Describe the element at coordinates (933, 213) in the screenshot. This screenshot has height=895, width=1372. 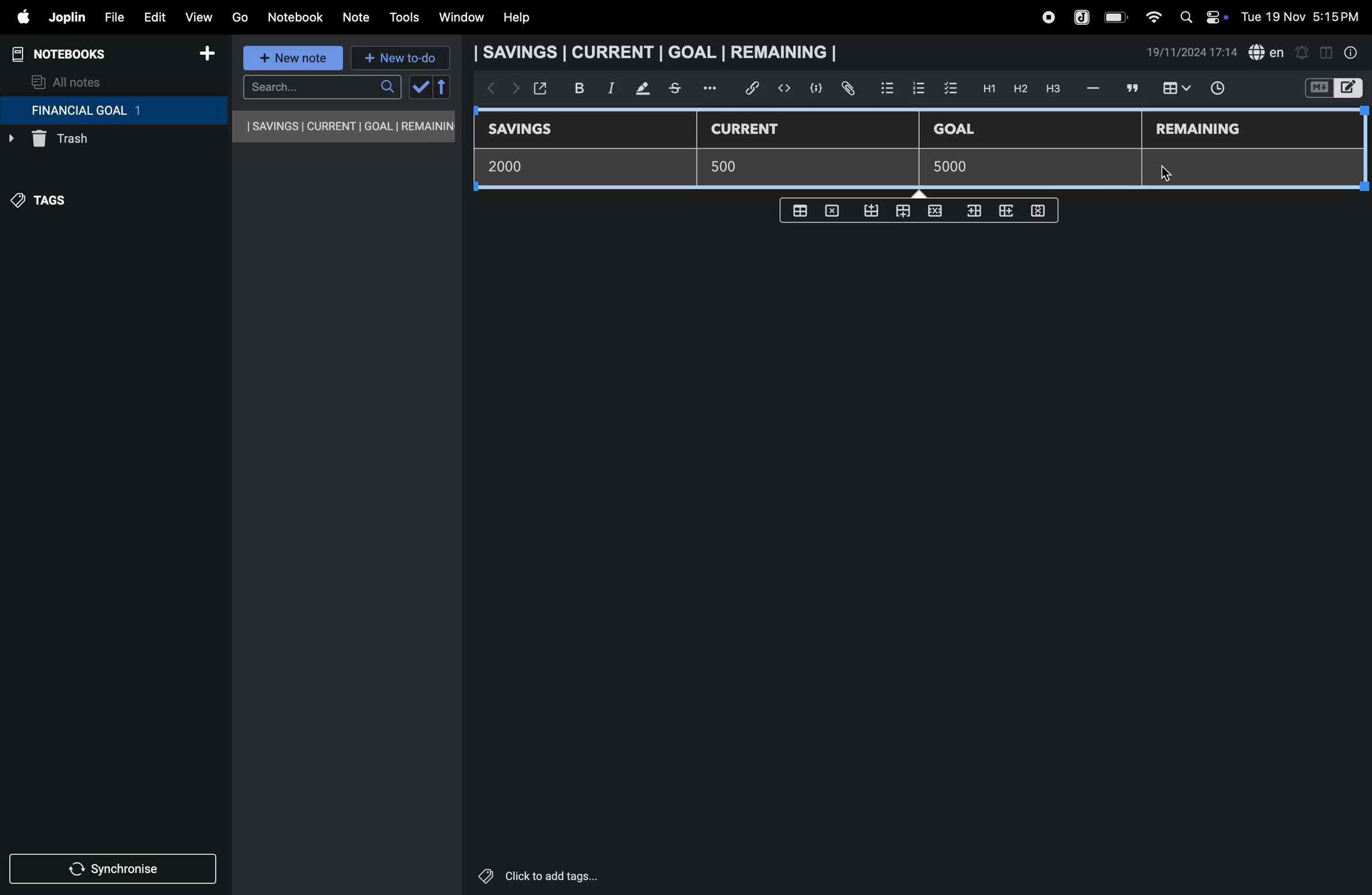
I see `close rows` at that location.